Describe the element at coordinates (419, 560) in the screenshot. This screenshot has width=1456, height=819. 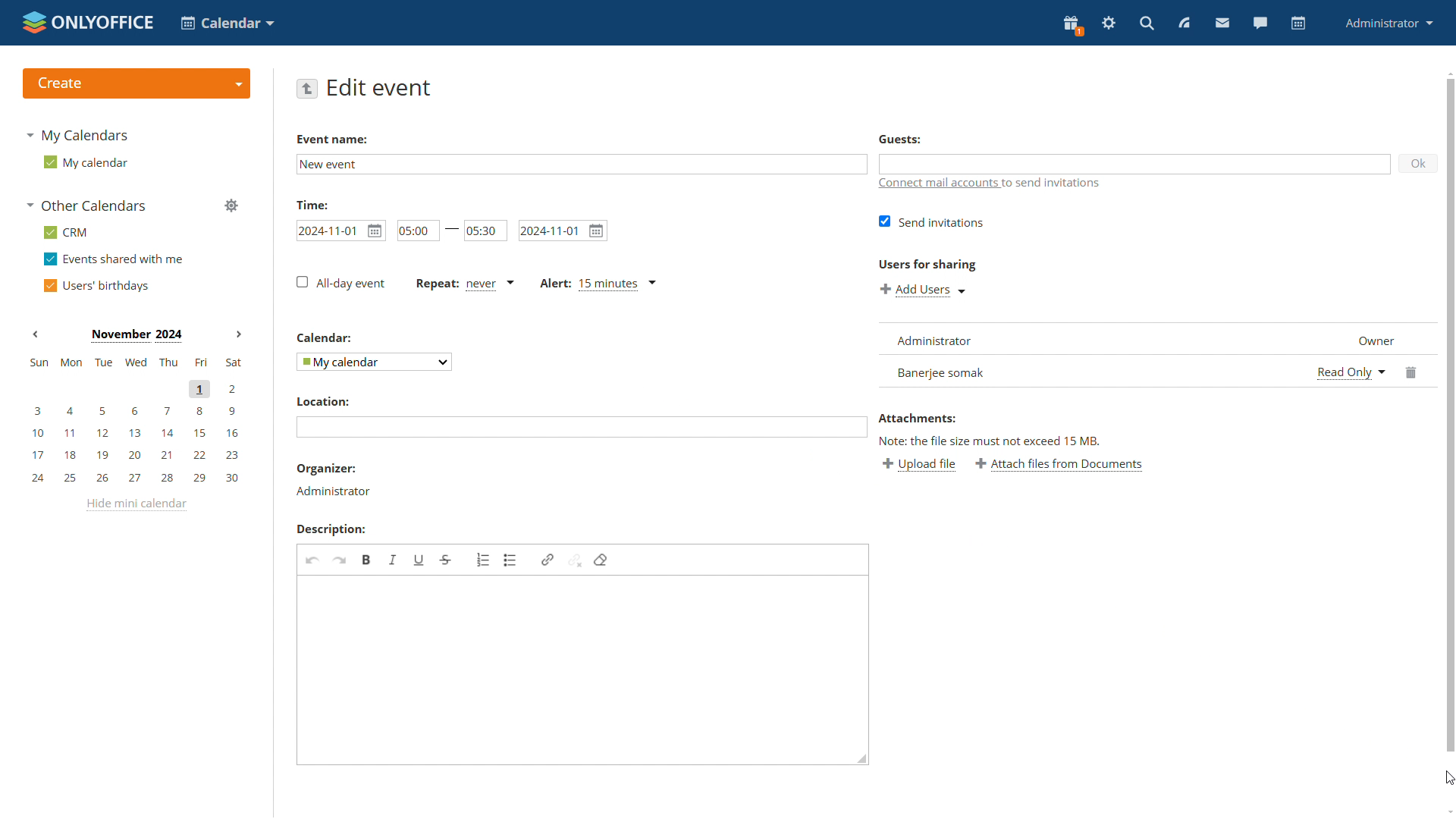
I see `underline` at that location.